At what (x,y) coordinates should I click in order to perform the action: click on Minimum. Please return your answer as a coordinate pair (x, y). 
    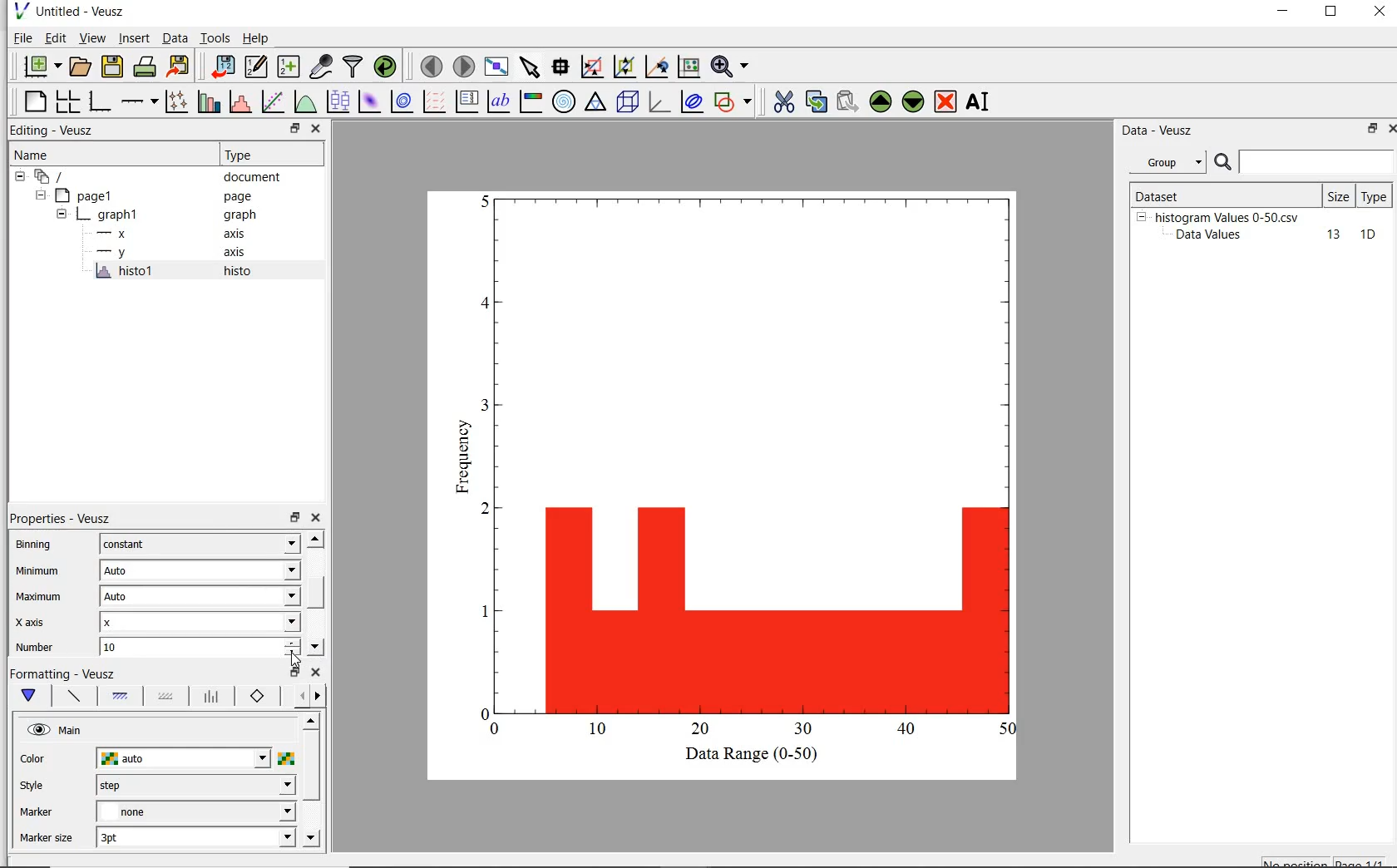
    Looking at the image, I should click on (39, 572).